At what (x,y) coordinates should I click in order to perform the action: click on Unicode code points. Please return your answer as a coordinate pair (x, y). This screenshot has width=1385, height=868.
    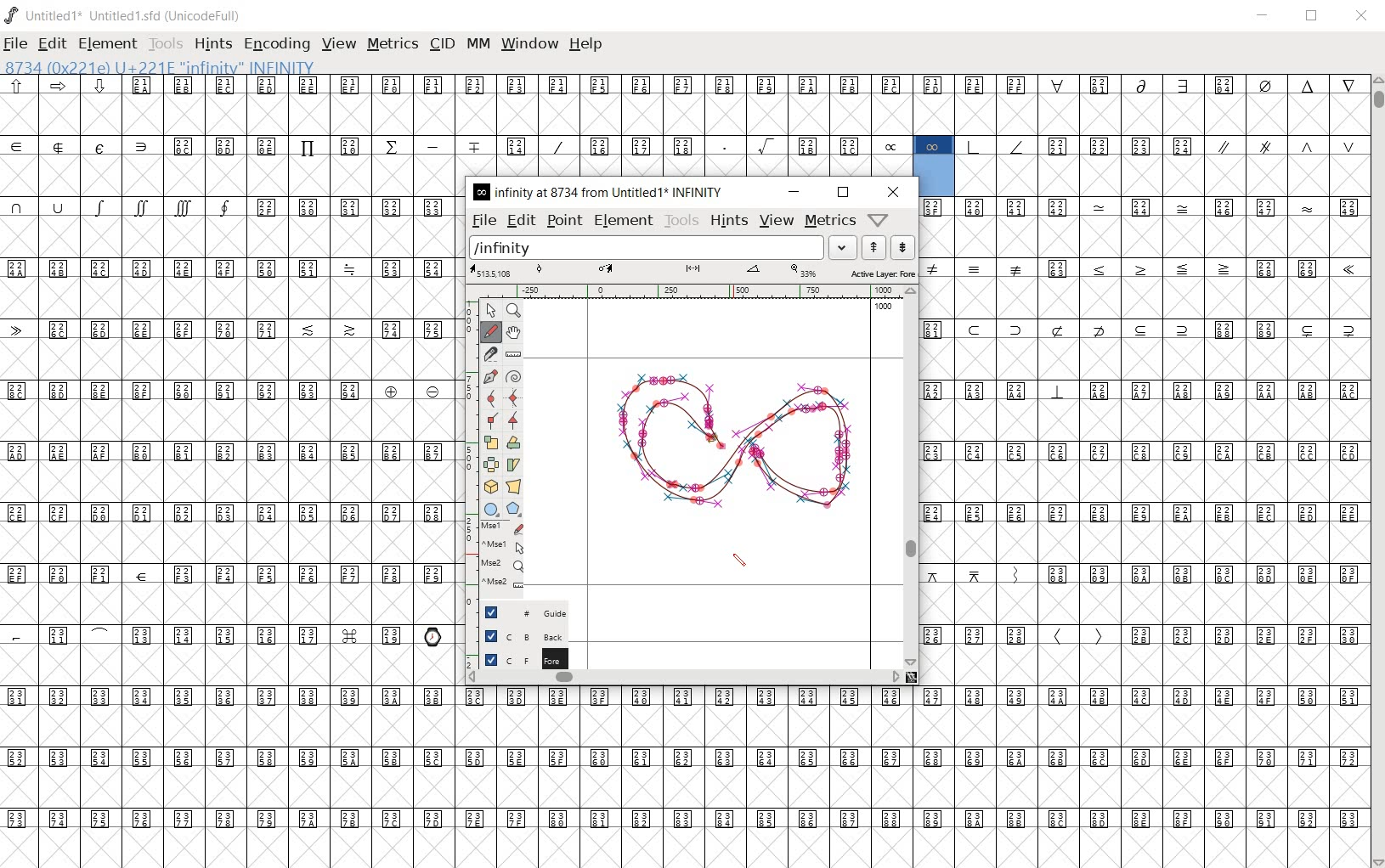
    Looking at the image, I should click on (740, 85).